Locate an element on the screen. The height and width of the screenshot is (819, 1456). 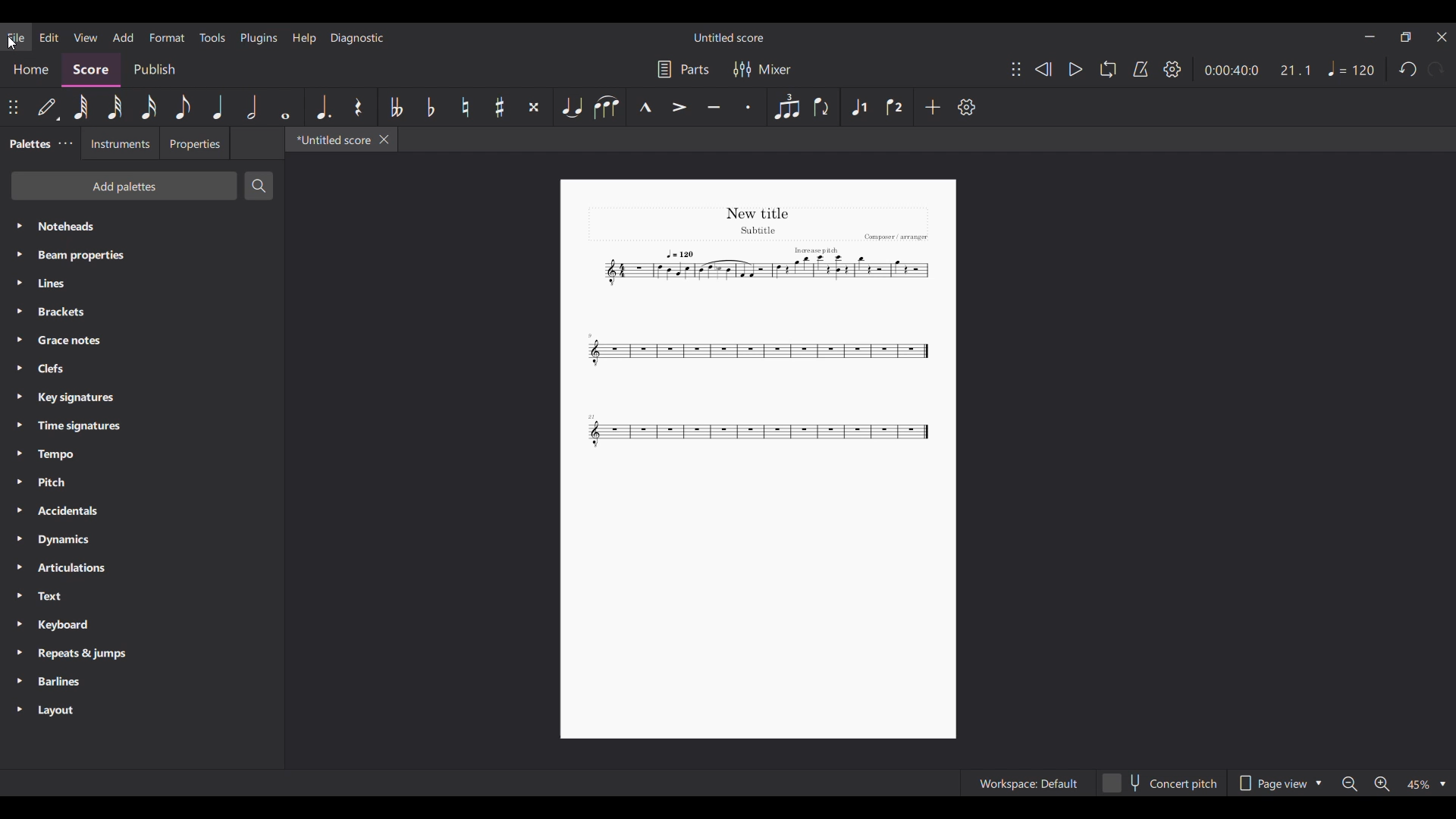
Plugins menu is located at coordinates (259, 38).